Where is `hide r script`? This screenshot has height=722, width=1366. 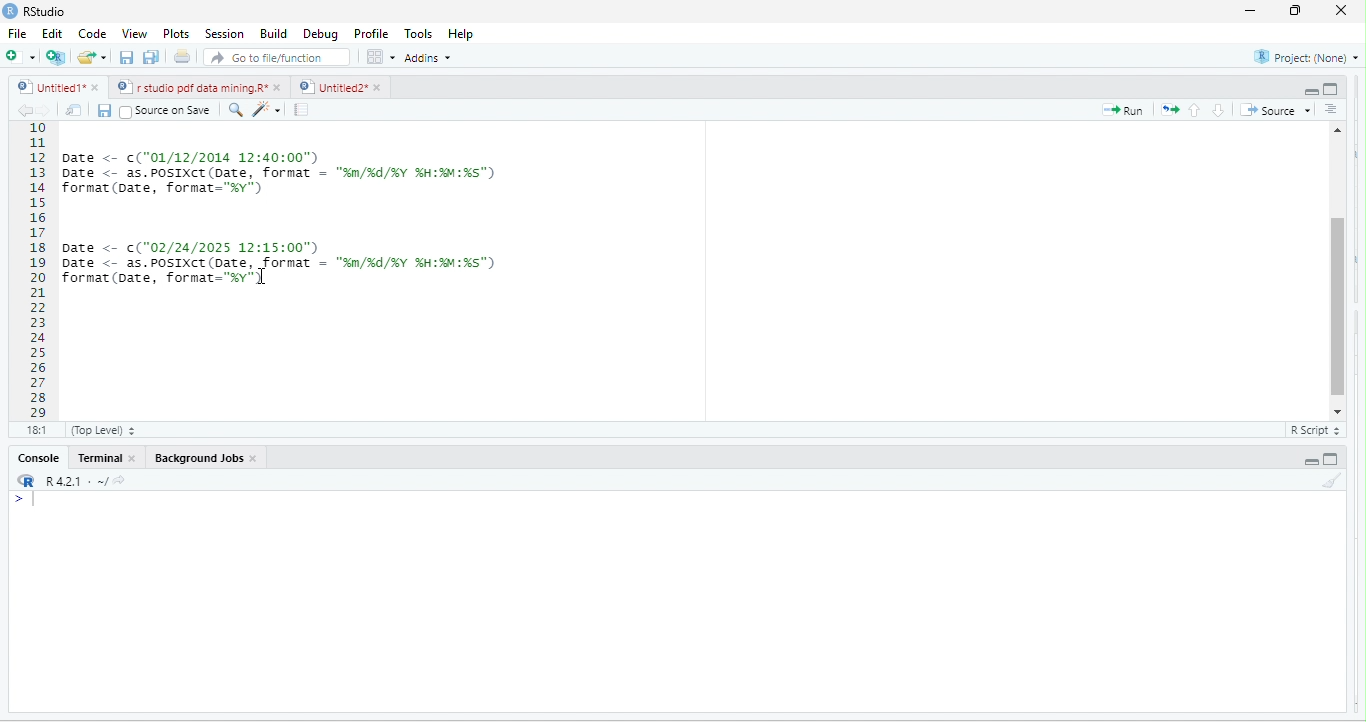 hide r script is located at coordinates (1310, 461).